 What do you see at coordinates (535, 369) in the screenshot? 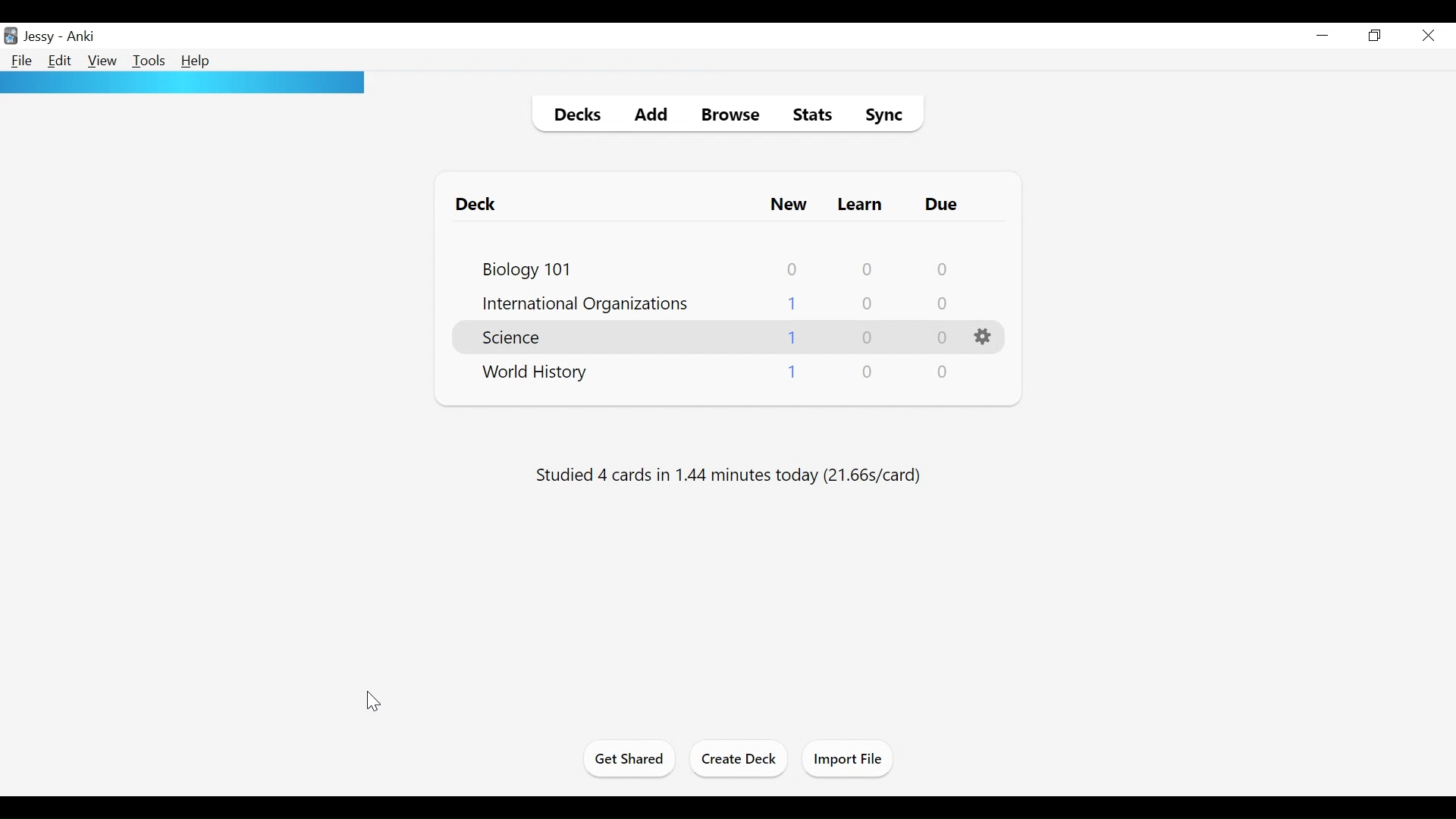
I see `Deck Name` at bounding box center [535, 369].